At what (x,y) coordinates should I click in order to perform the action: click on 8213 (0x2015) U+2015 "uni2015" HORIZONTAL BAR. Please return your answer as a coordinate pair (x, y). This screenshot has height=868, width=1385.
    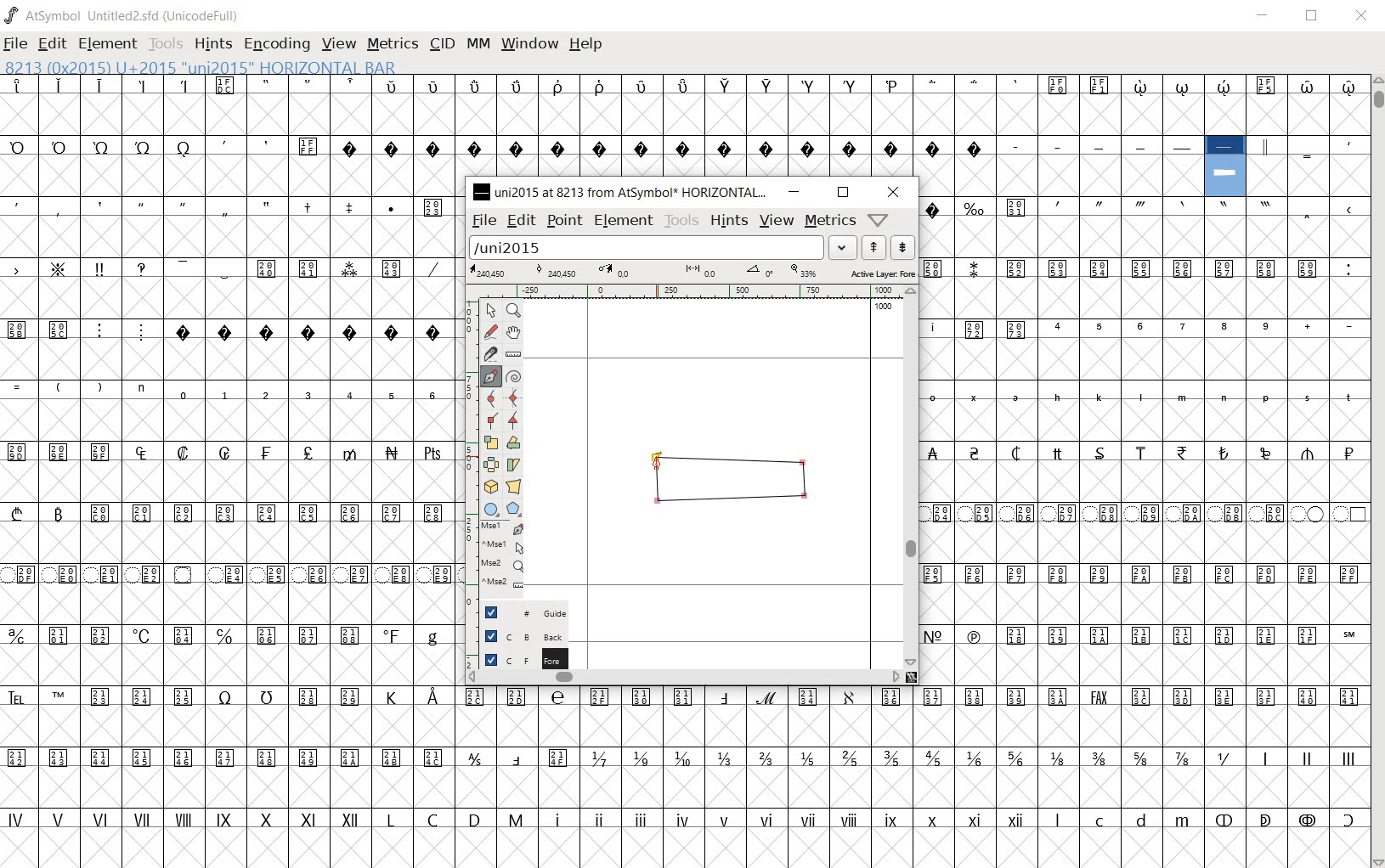
    Looking at the image, I should click on (199, 67).